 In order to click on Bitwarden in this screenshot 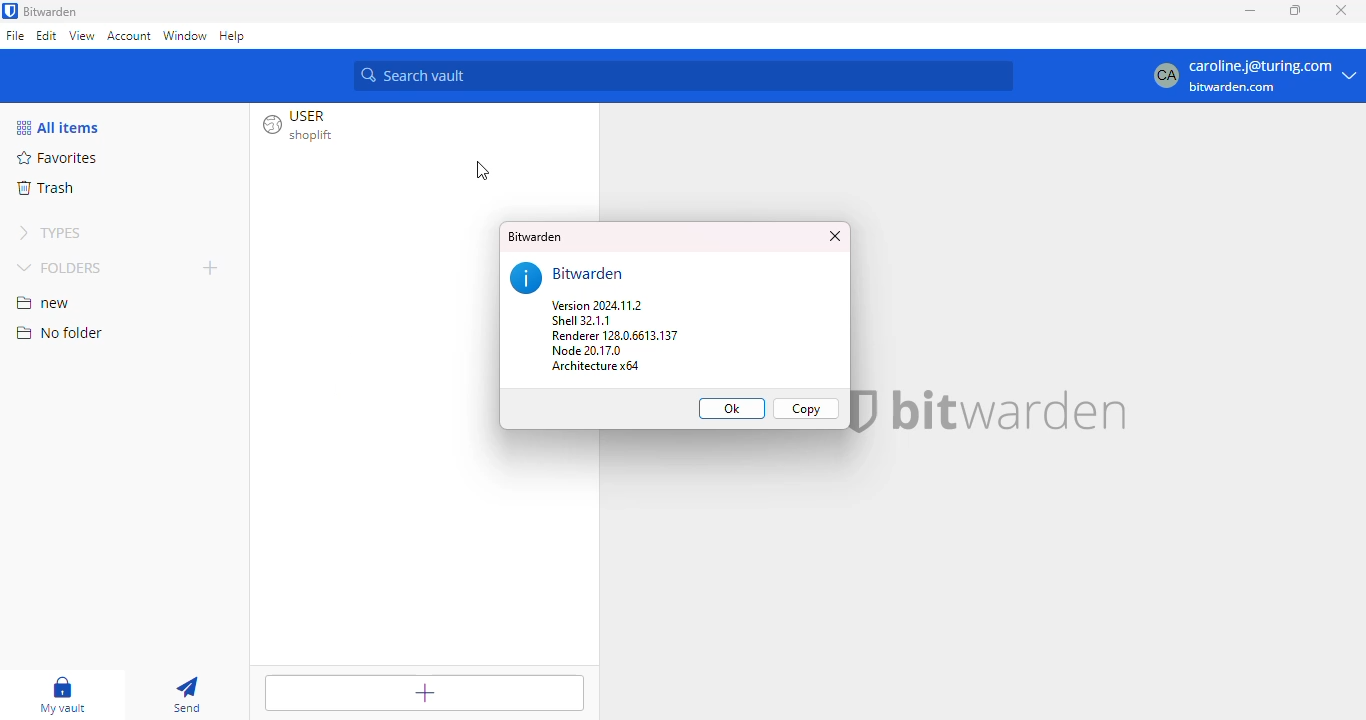, I will do `click(589, 273)`.